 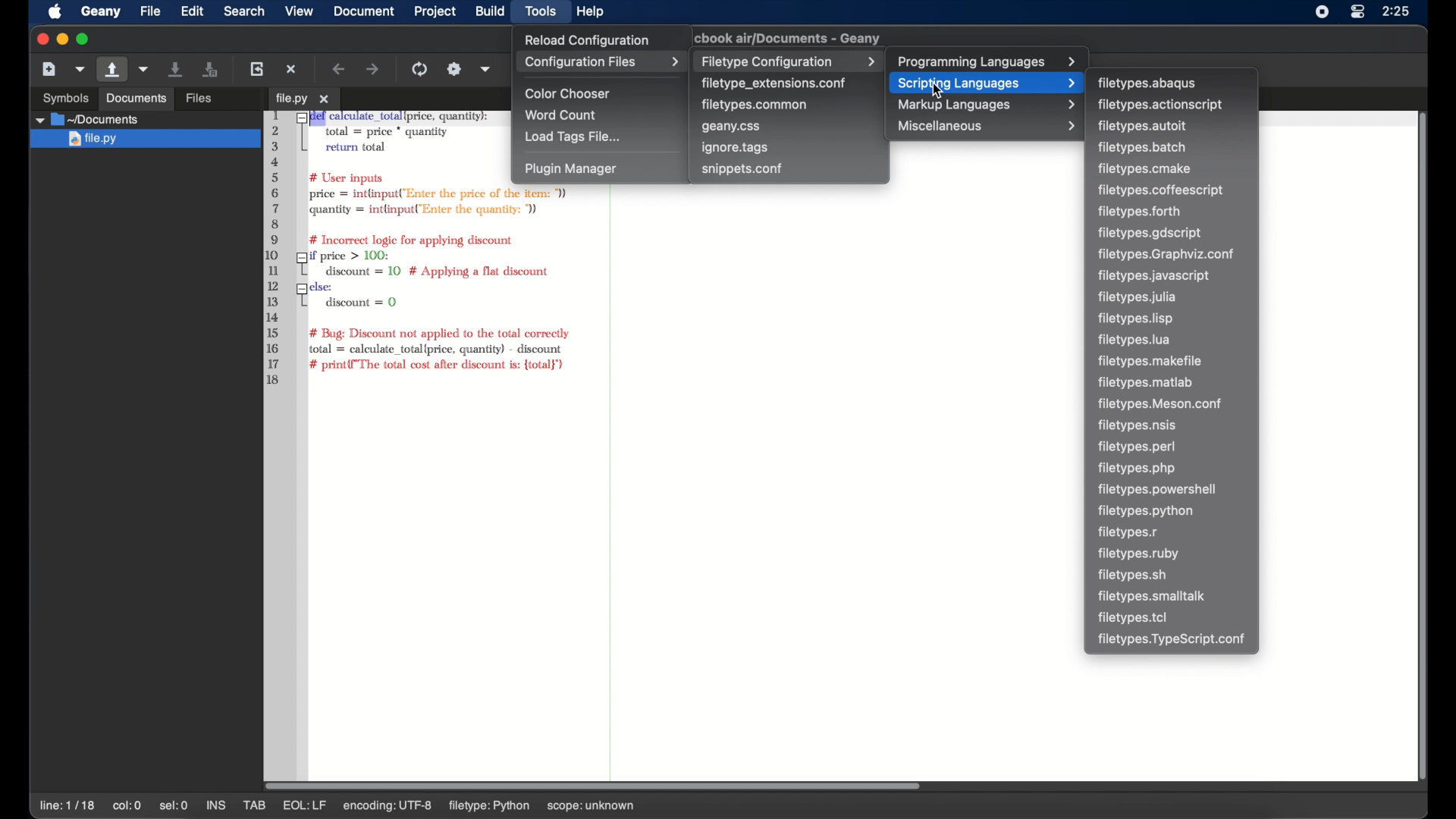 I want to click on eql:lf, so click(x=350, y=805).